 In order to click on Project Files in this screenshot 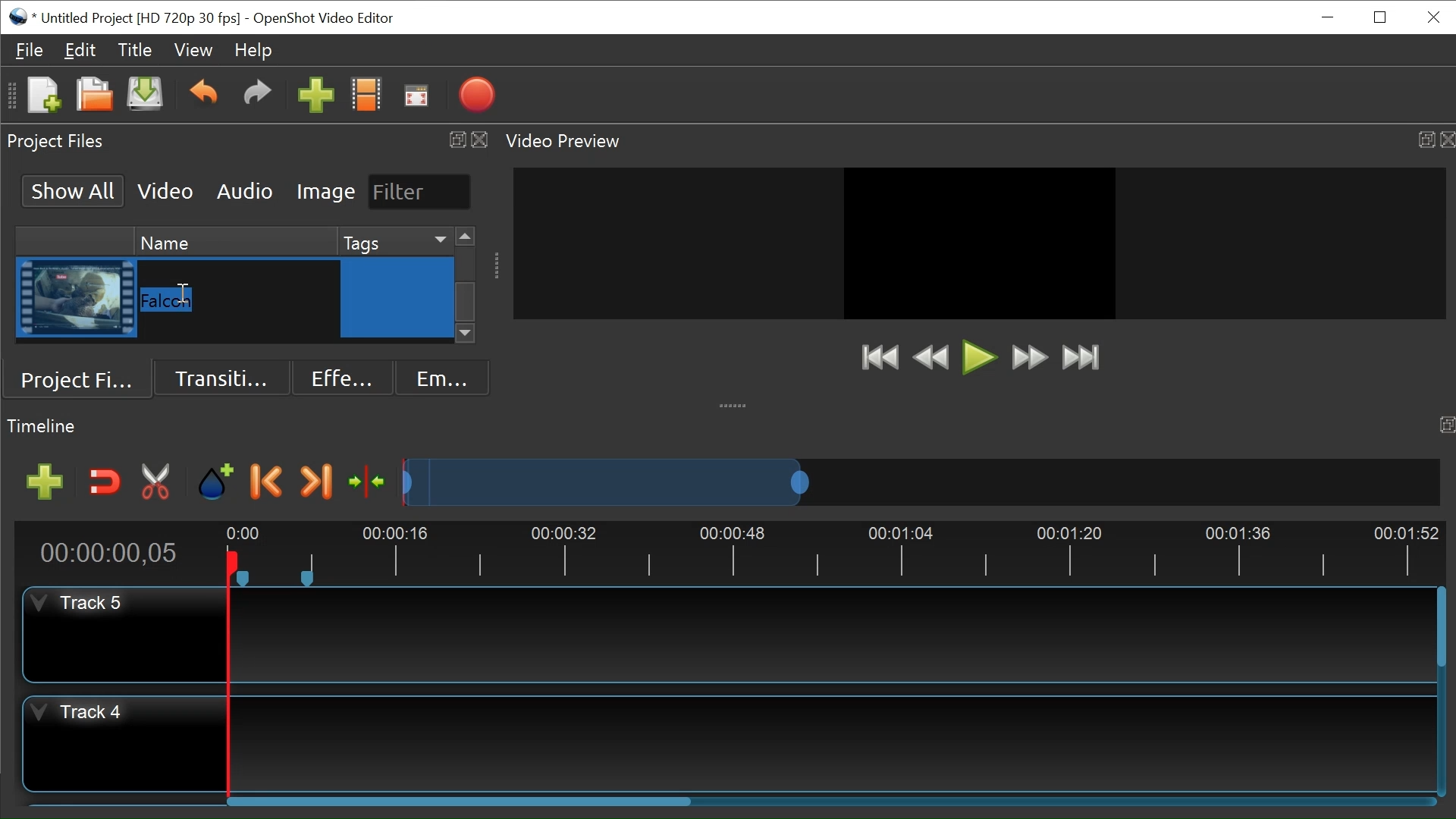, I will do `click(83, 377)`.